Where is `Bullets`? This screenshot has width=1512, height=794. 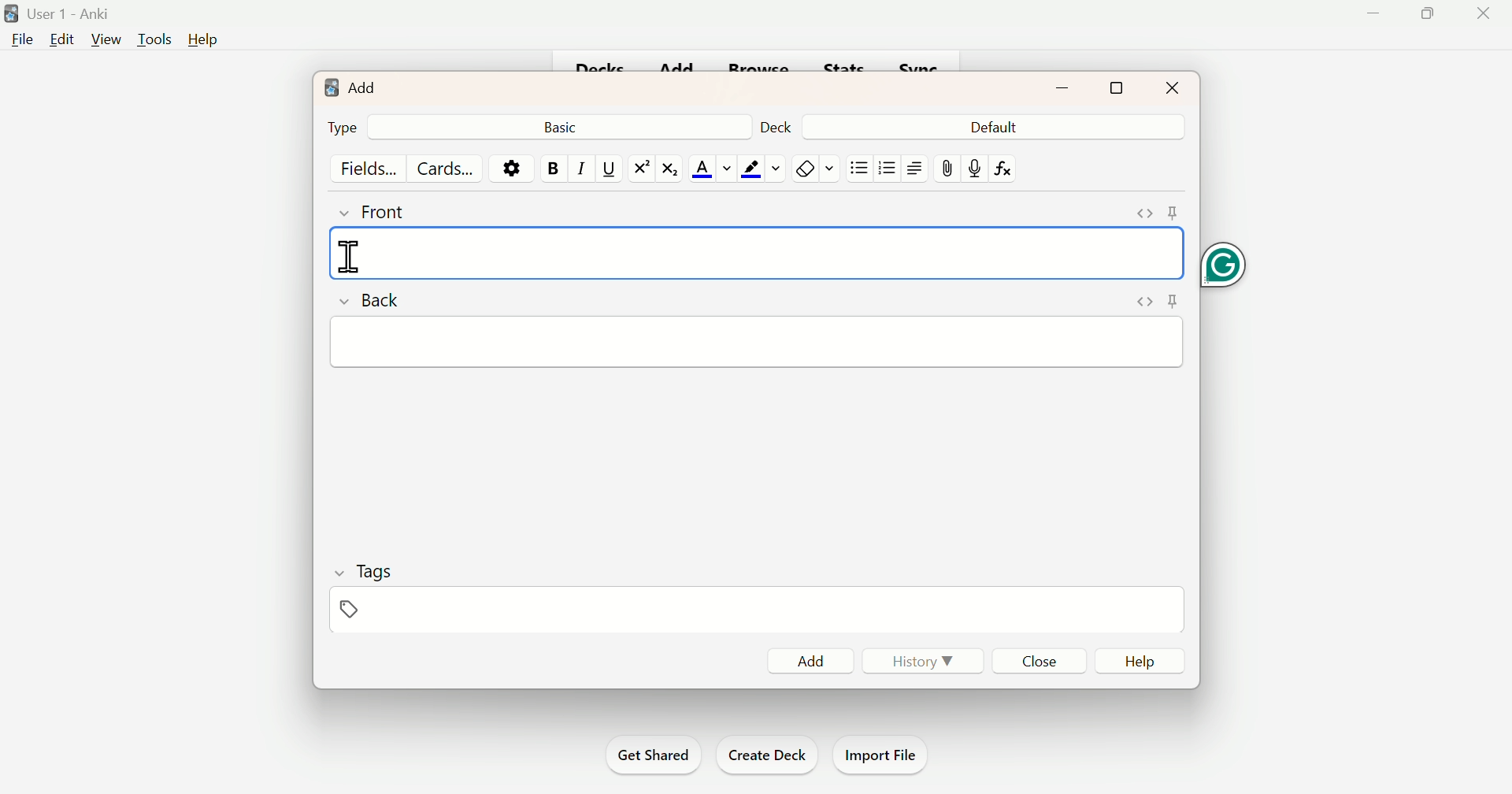 Bullets is located at coordinates (861, 167).